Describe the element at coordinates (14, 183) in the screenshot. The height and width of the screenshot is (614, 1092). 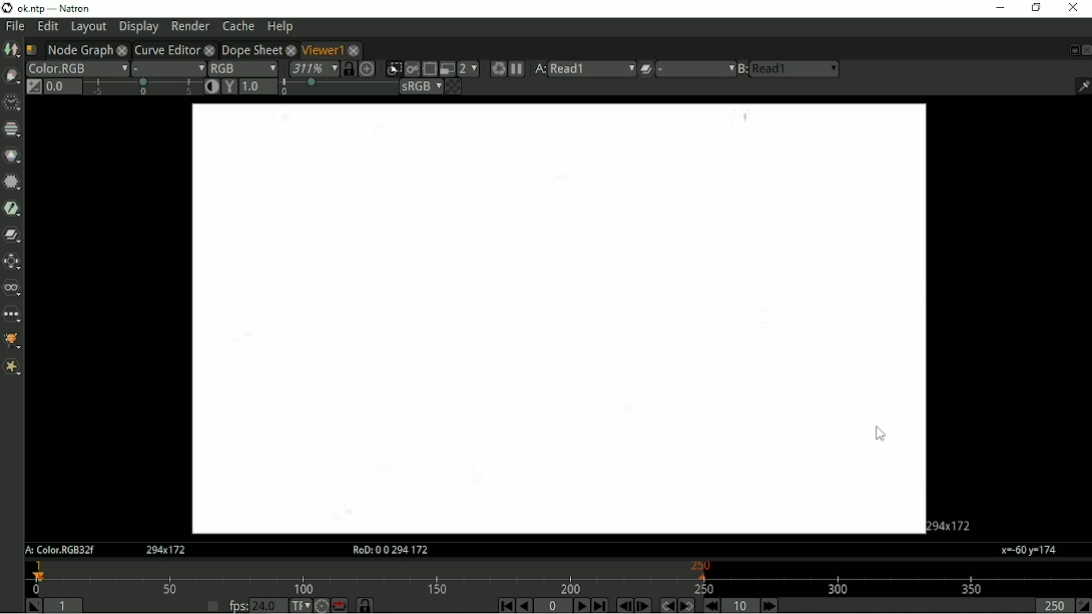
I see `Filter` at that location.